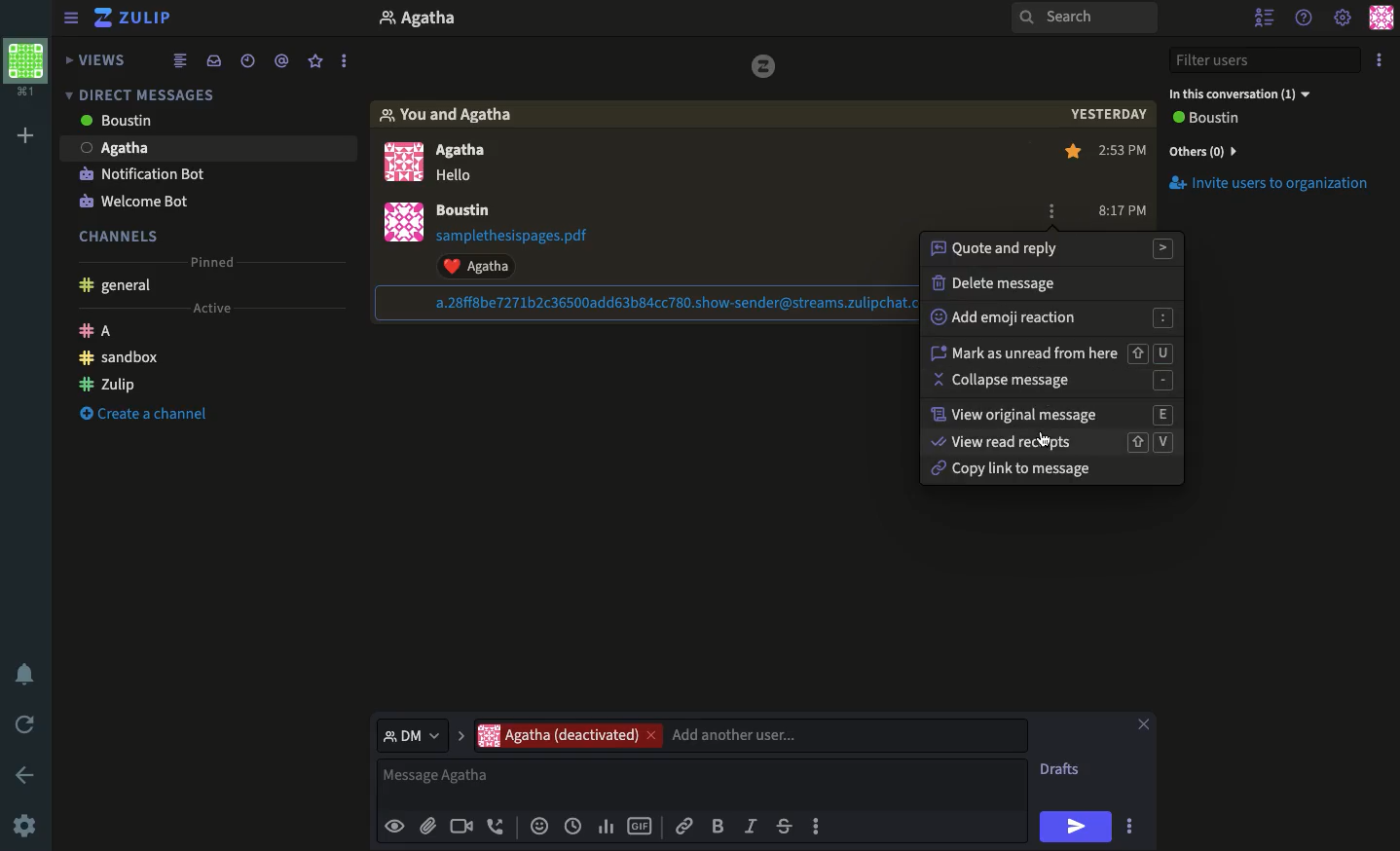 The image size is (1400, 851). What do you see at coordinates (537, 828) in the screenshot?
I see `Reaction` at bounding box center [537, 828].